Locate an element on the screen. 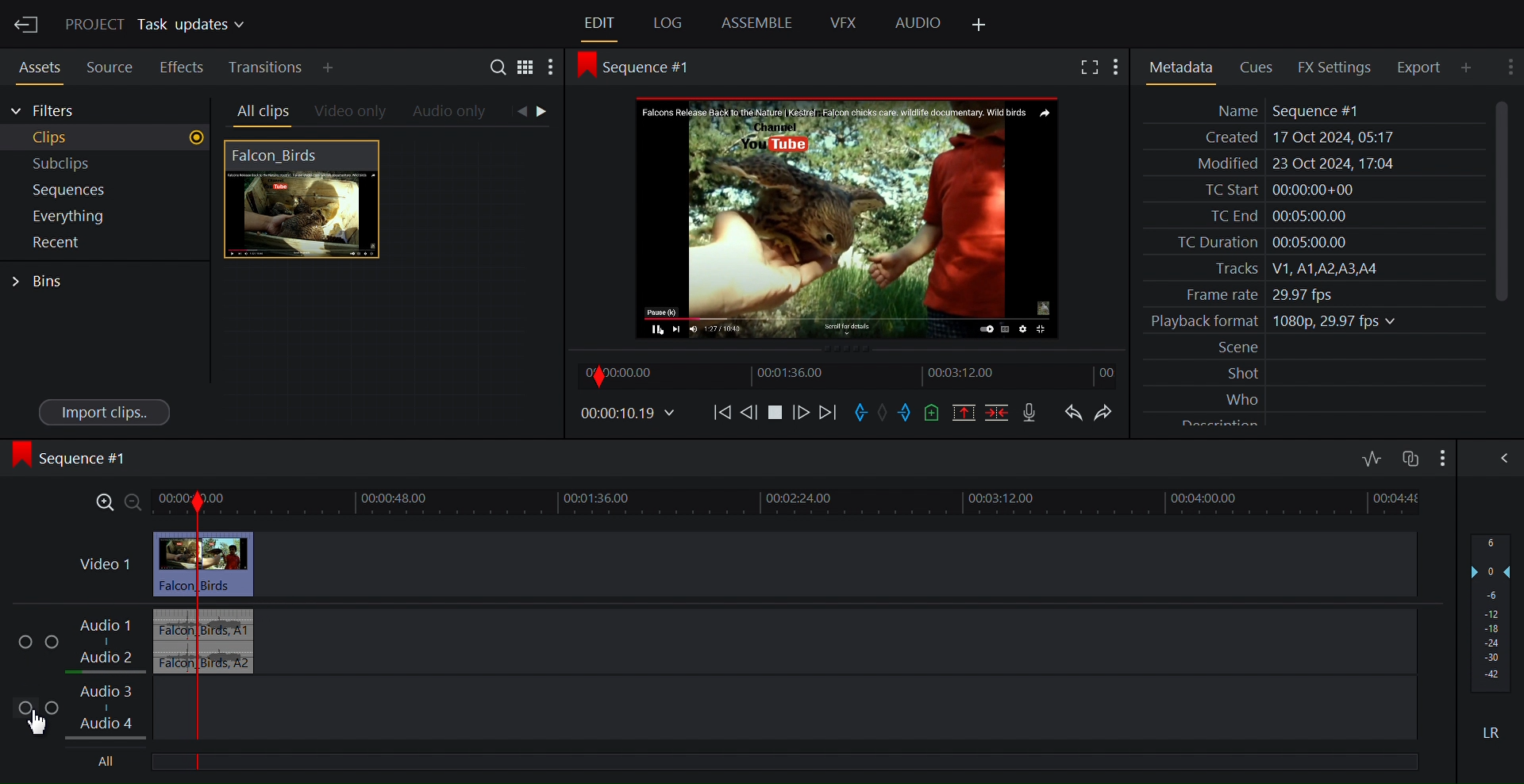 The width and height of the screenshot is (1524, 784). Show settings menu is located at coordinates (550, 69).